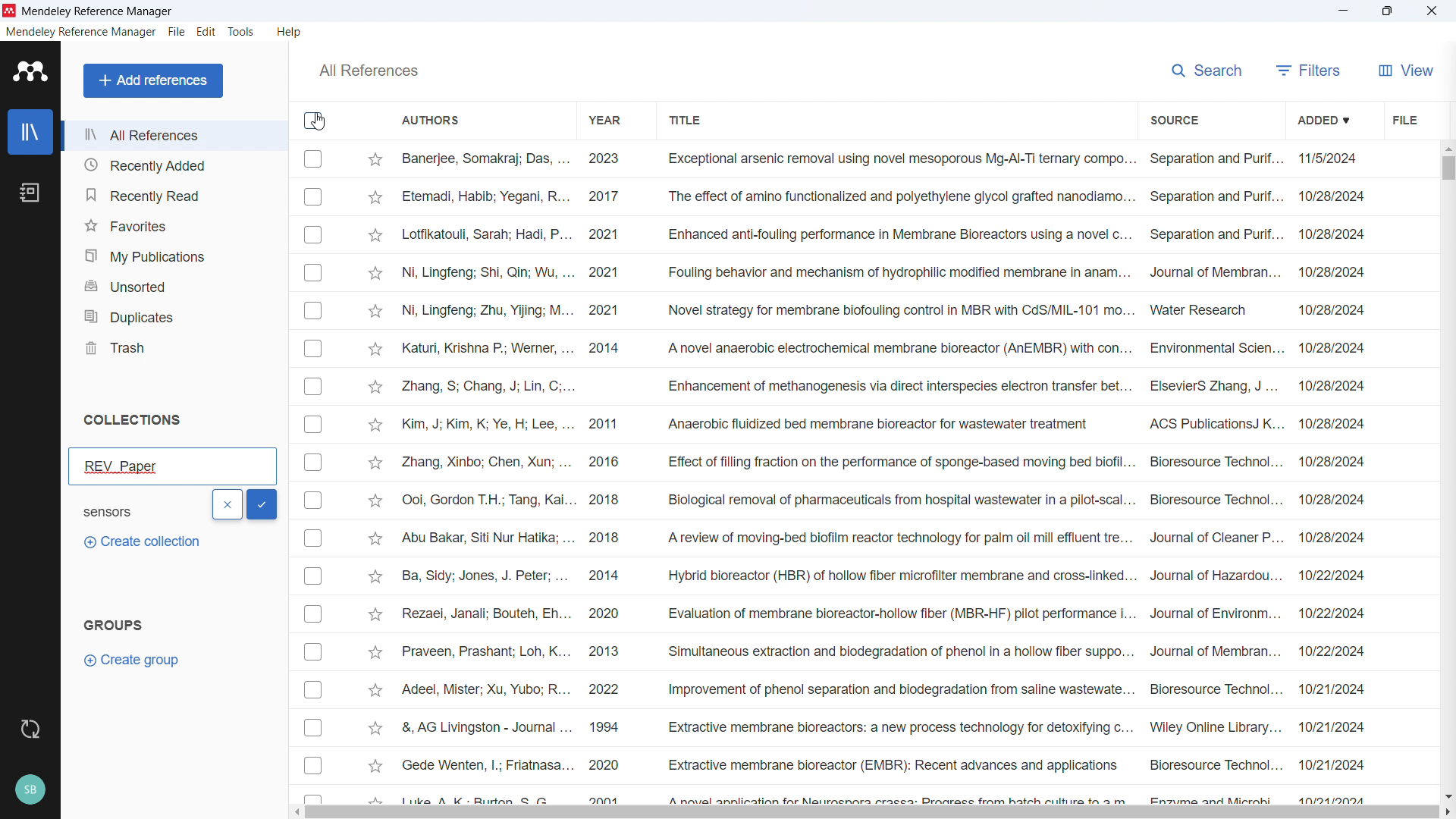 Image resolution: width=1456 pixels, height=819 pixels. I want to click on Favourites , so click(174, 224).